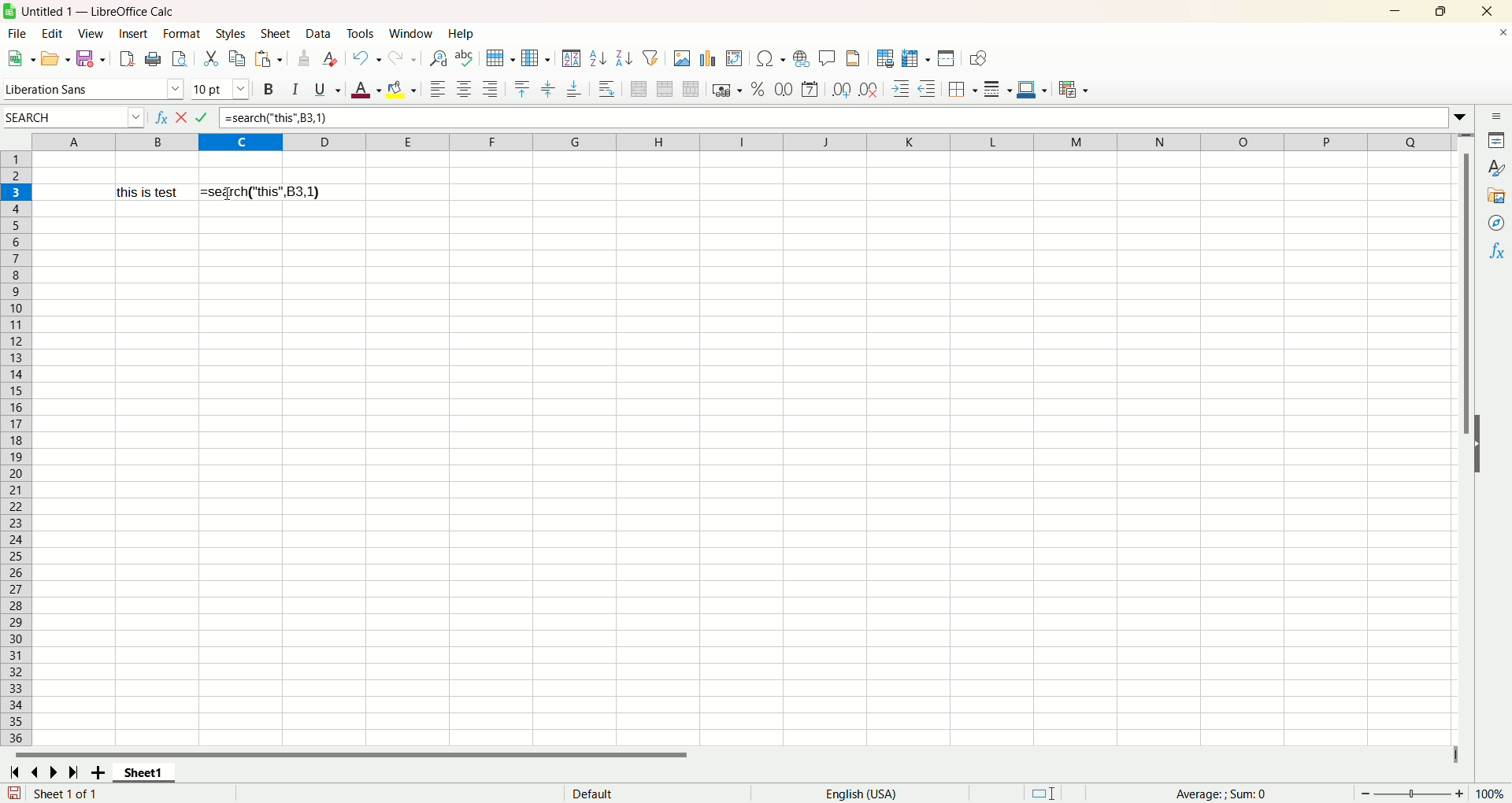  I want to click on edit, so click(56, 34).